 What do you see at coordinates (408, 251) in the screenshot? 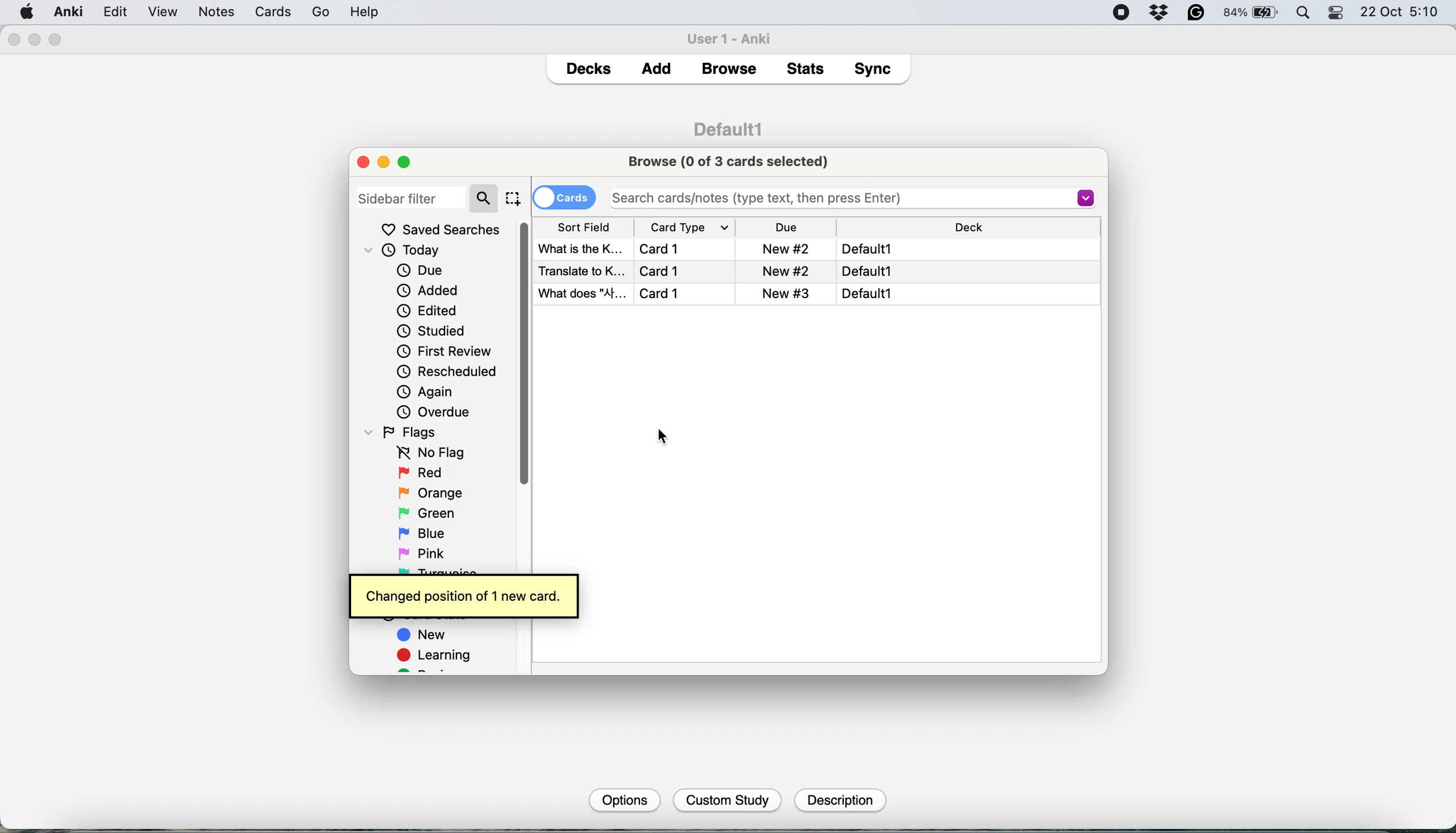
I see `today` at bounding box center [408, 251].